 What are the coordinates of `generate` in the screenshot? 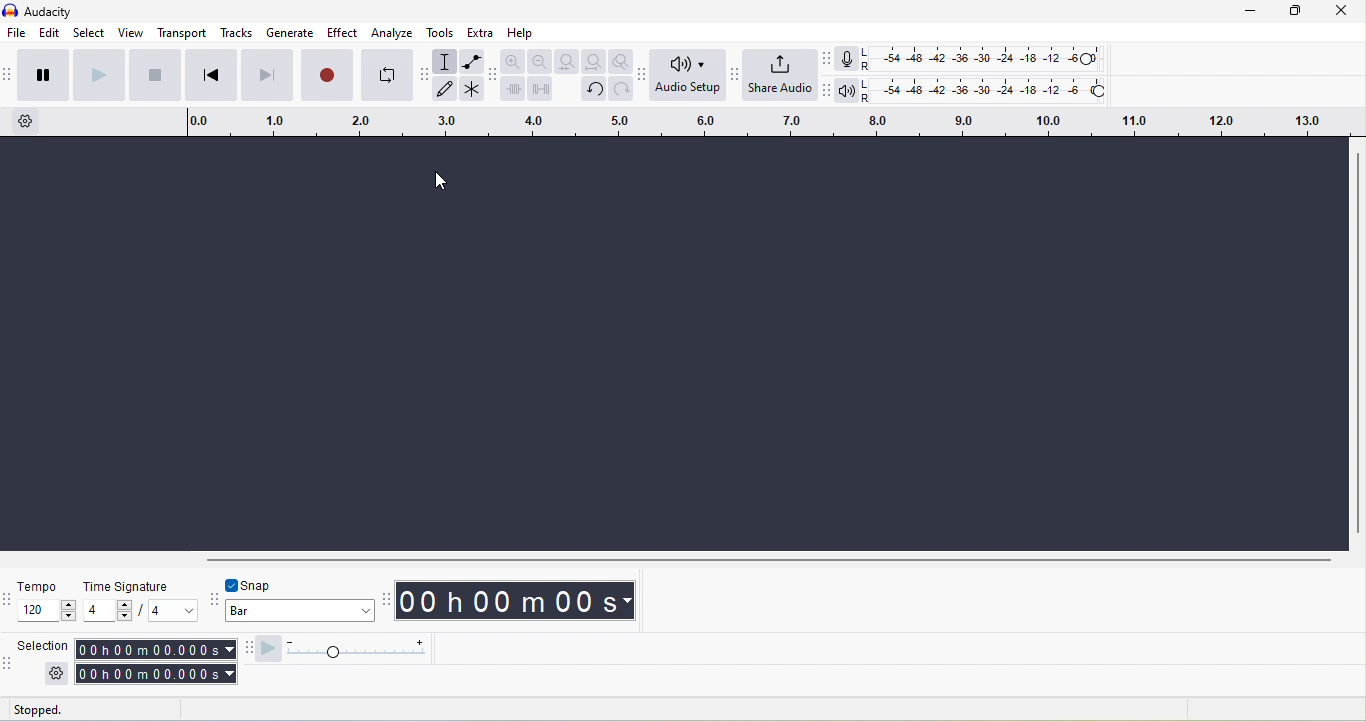 It's located at (287, 34).